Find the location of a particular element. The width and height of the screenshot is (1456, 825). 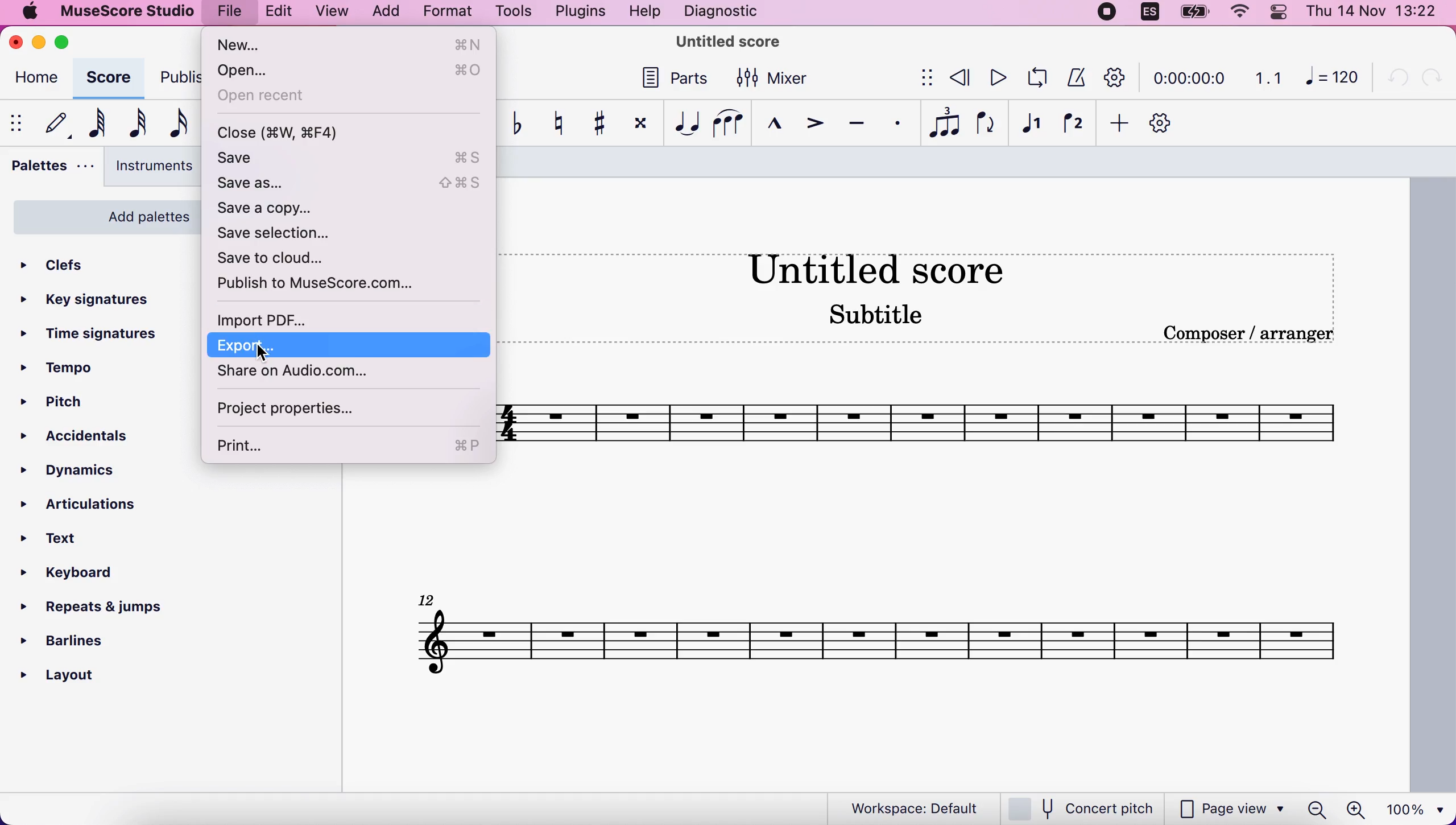

score is located at coordinates (887, 646).